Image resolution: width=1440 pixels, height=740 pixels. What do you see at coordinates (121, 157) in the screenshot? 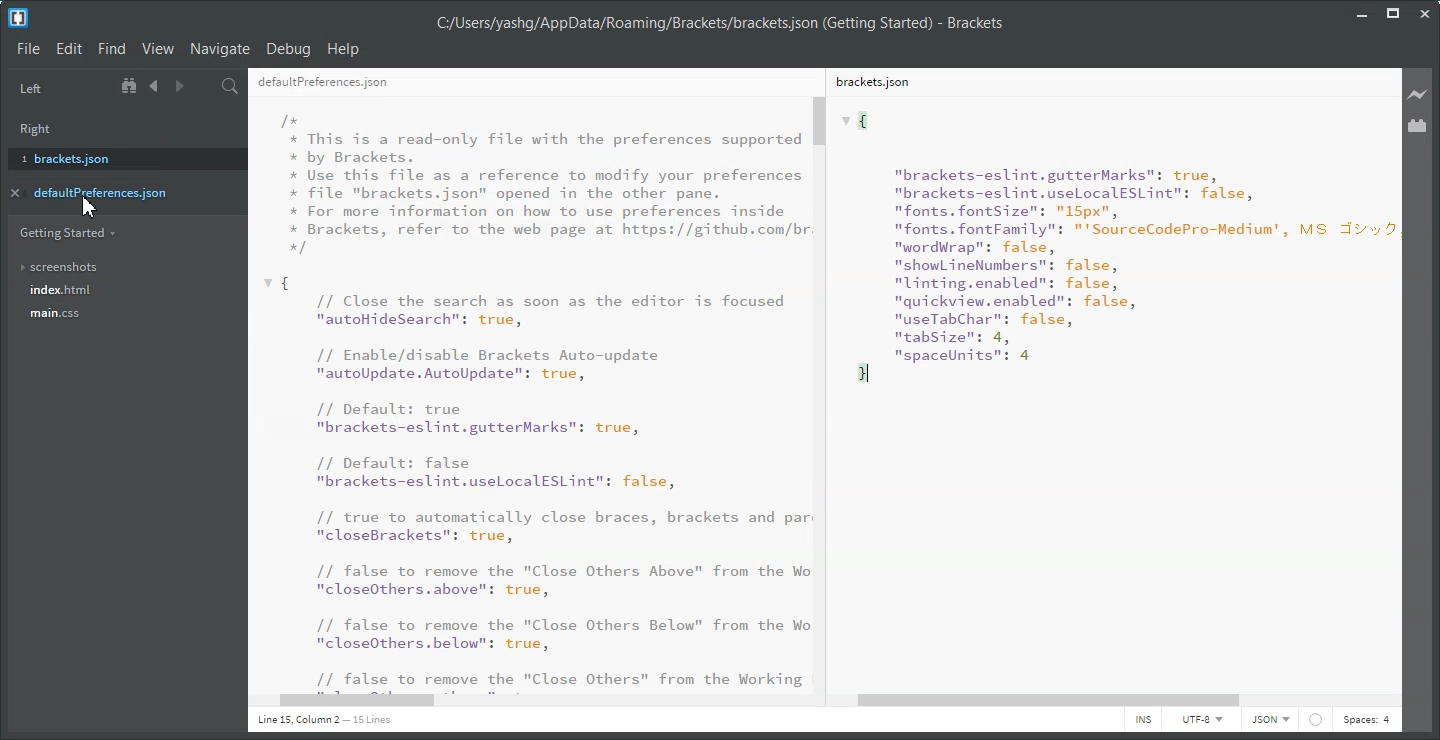
I see `brackets.json` at bounding box center [121, 157].